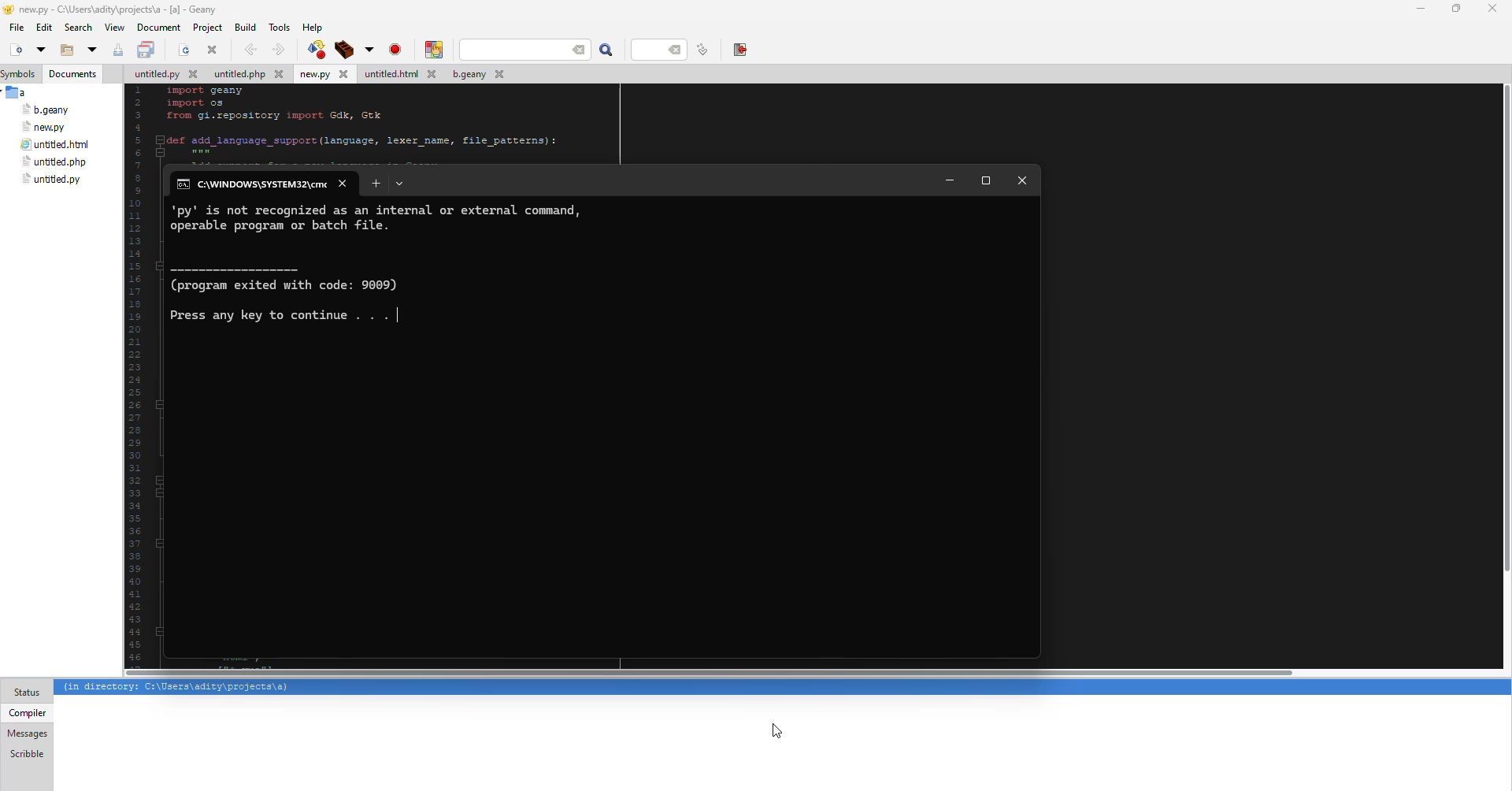  I want to click on cmd, so click(250, 184).